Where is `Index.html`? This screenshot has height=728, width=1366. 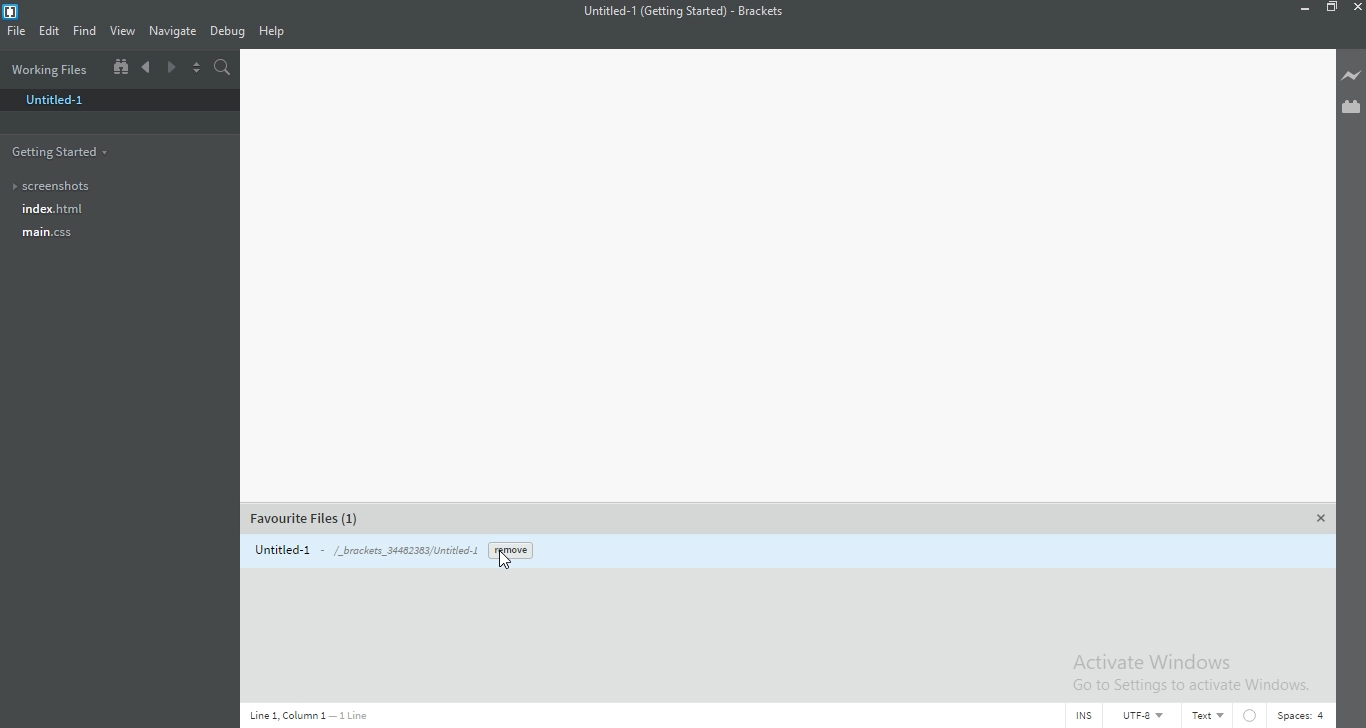
Index.html is located at coordinates (110, 209).